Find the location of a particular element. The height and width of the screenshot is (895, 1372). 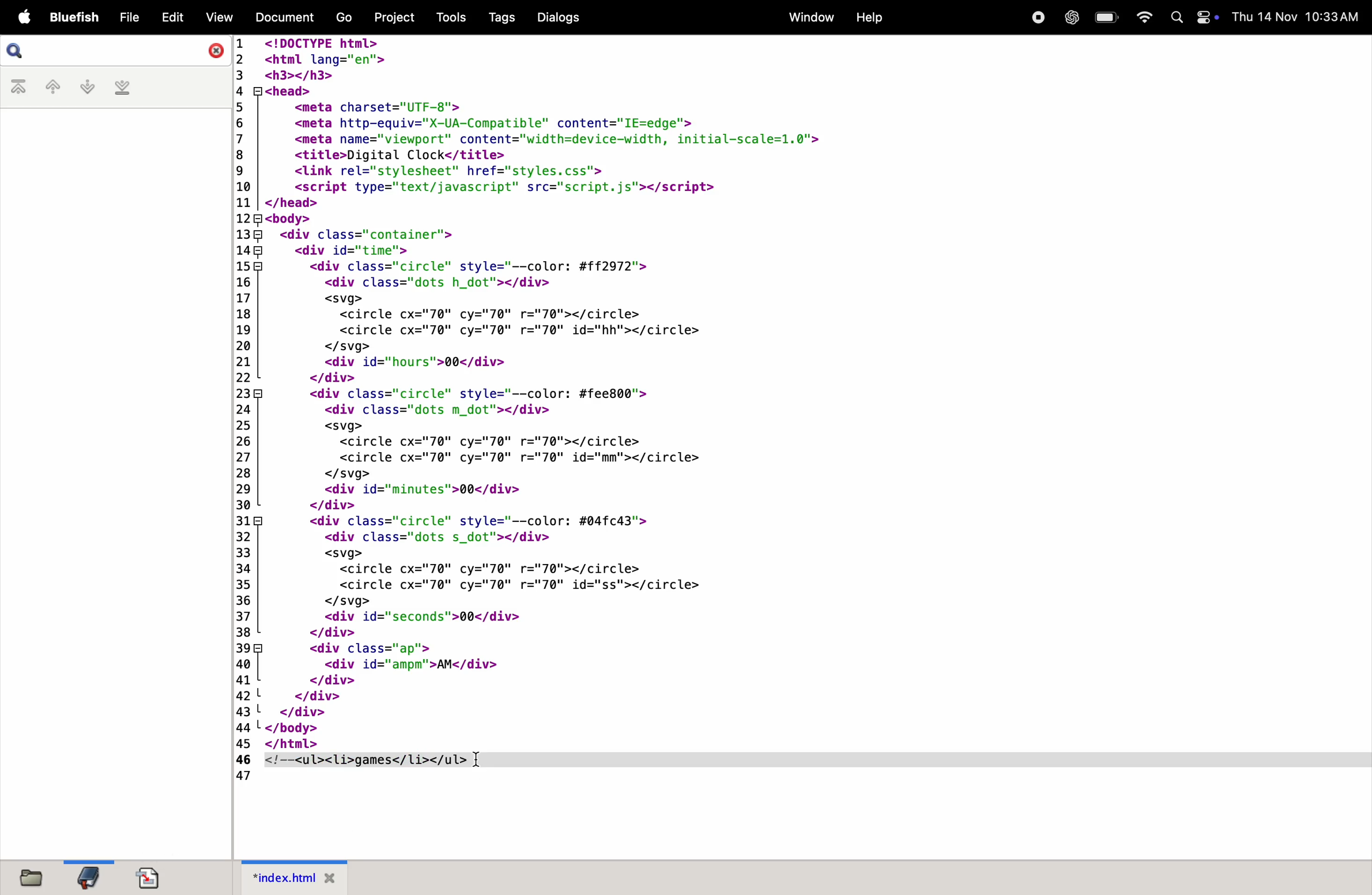

close is located at coordinates (212, 52).